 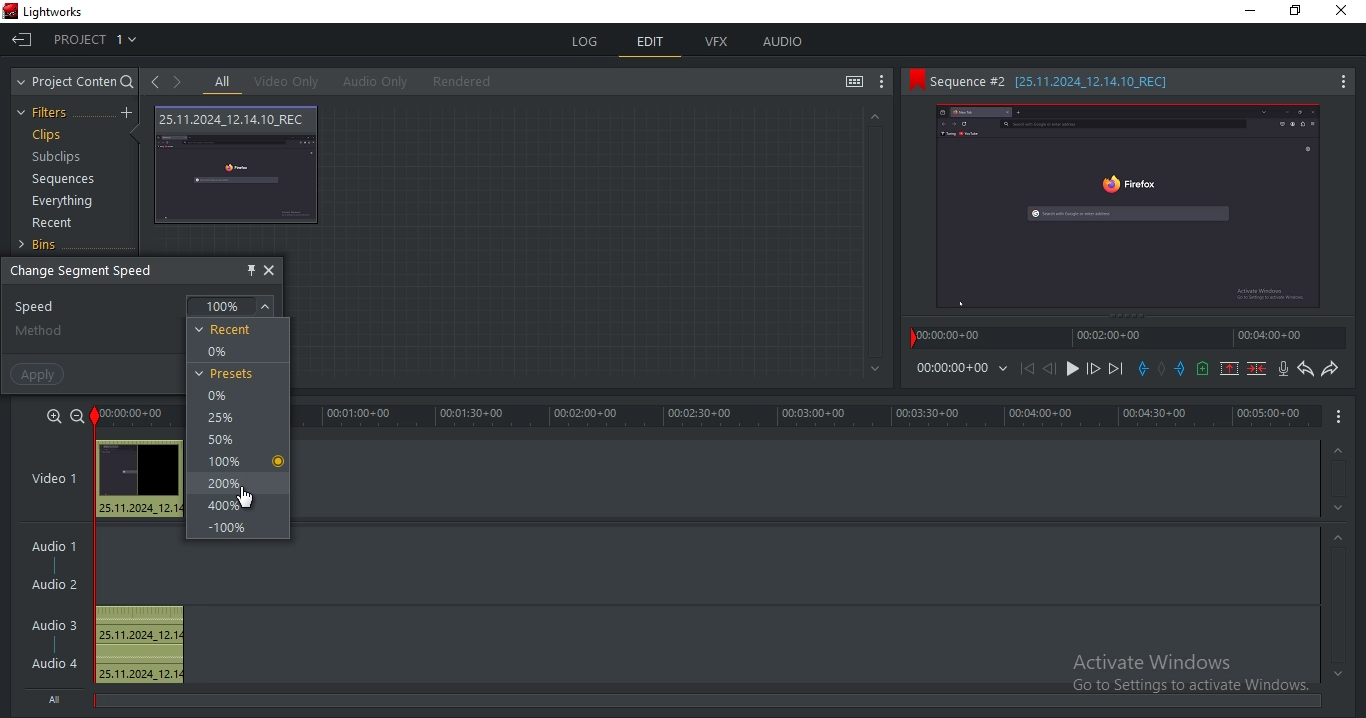 What do you see at coordinates (75, 82) in the screenshot?
I see `project content` at bounding box center [75, 82].